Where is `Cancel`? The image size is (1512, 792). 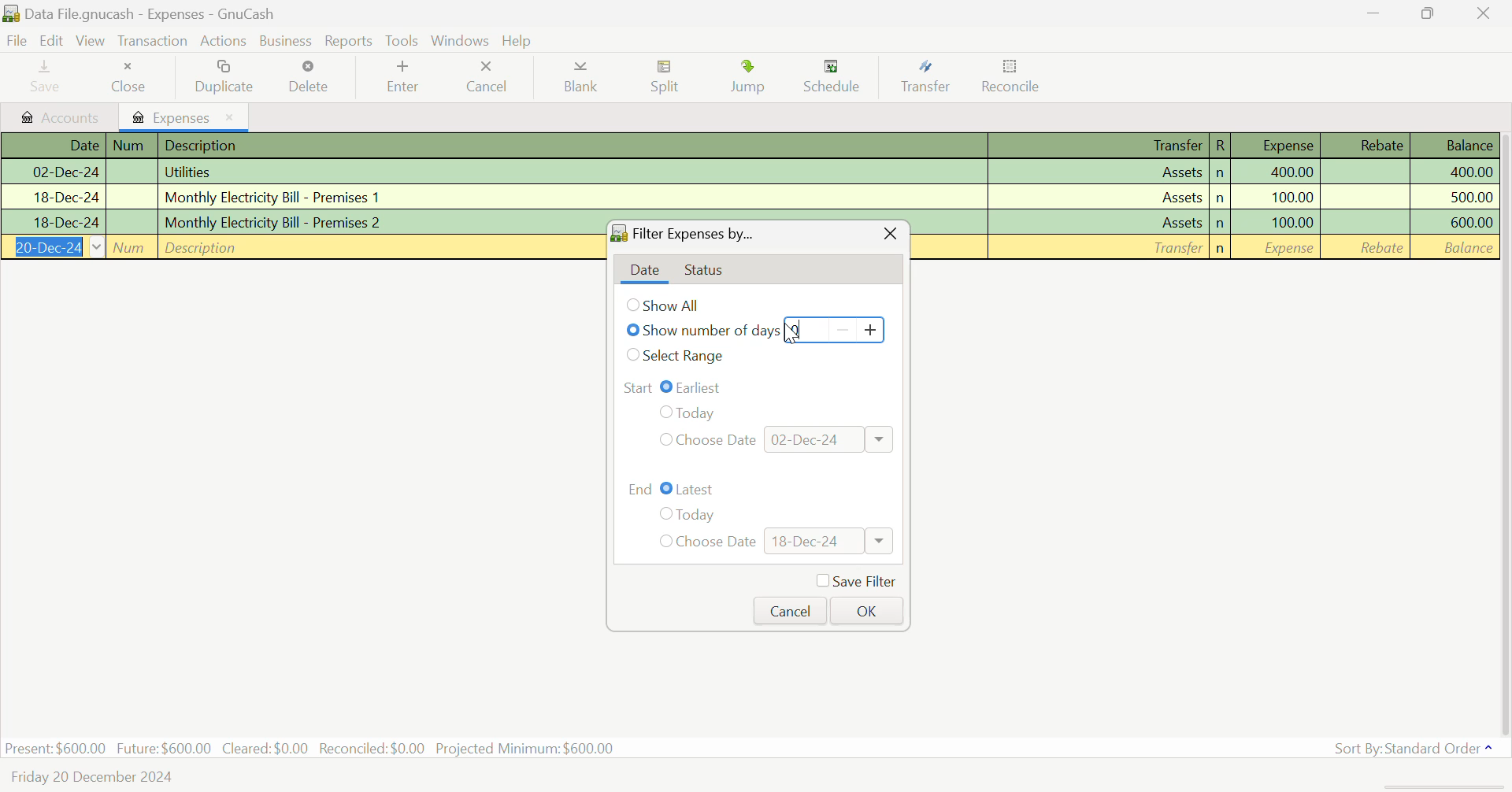
Cancel is located at coordinates (789, 612).